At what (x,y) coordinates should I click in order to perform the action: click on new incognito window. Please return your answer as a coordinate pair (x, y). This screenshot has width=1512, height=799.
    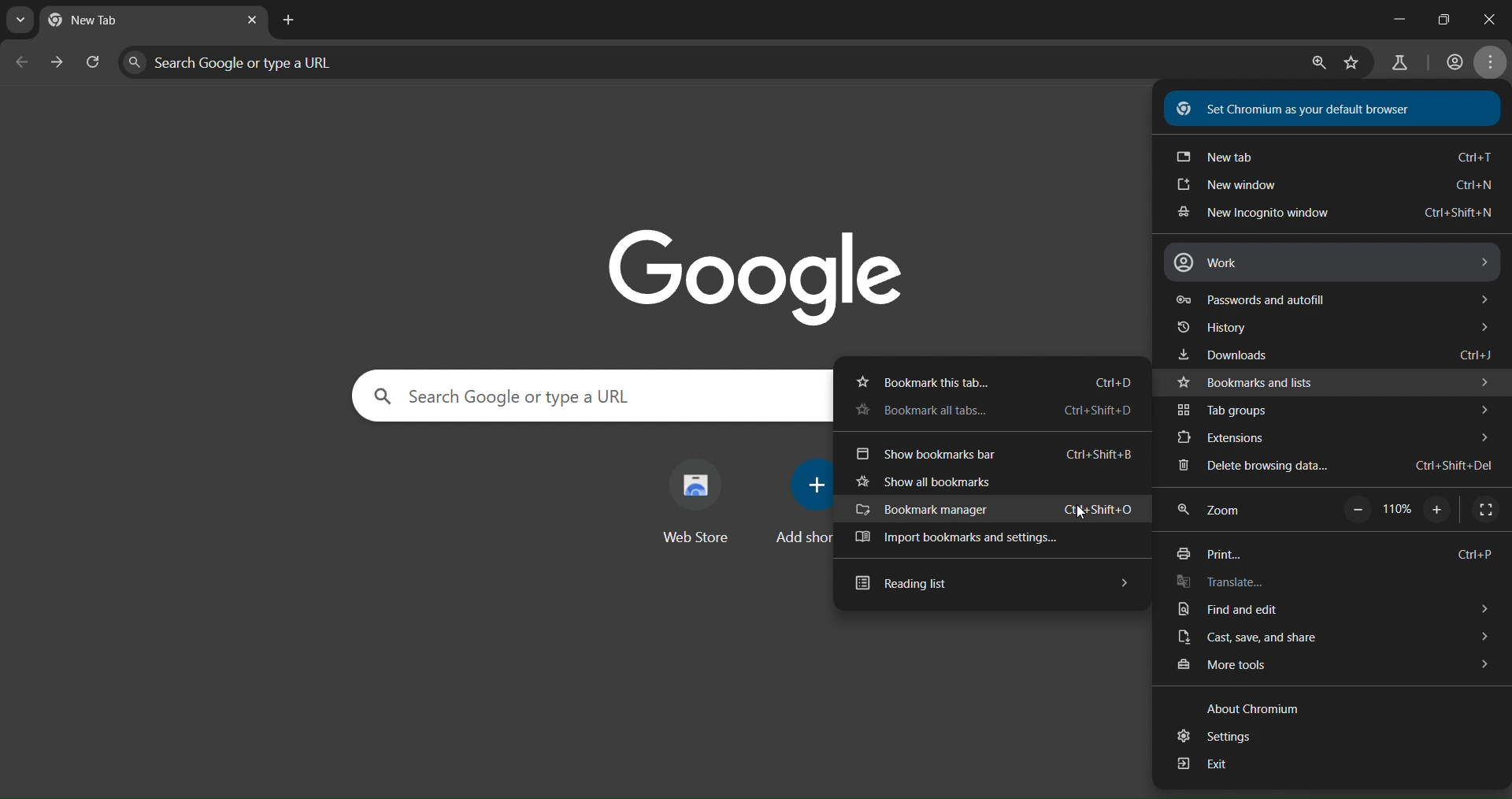
    Looking at the image, I should click on (1339, 212).